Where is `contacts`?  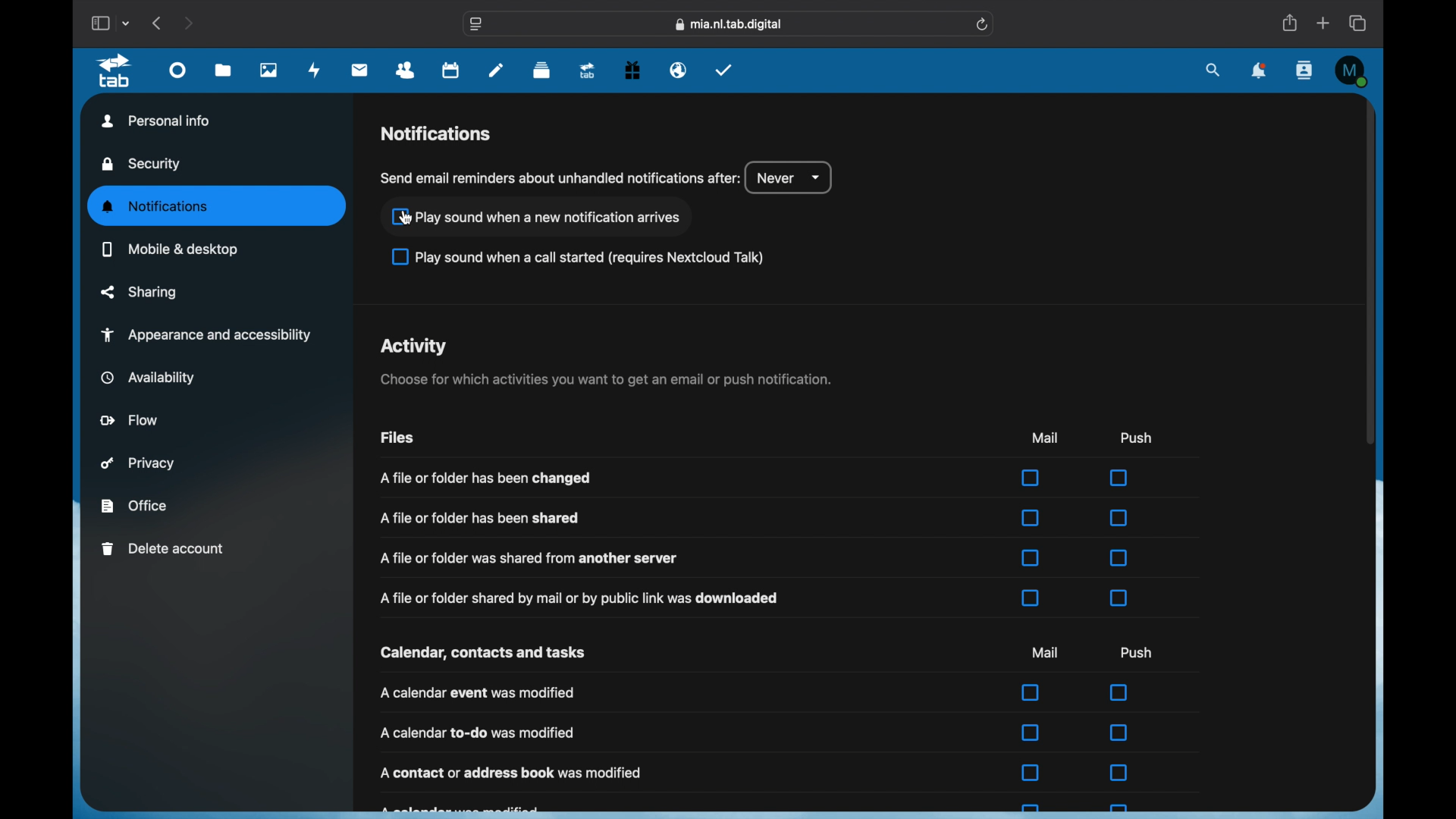 contacts is located at coordinates (406, 70).